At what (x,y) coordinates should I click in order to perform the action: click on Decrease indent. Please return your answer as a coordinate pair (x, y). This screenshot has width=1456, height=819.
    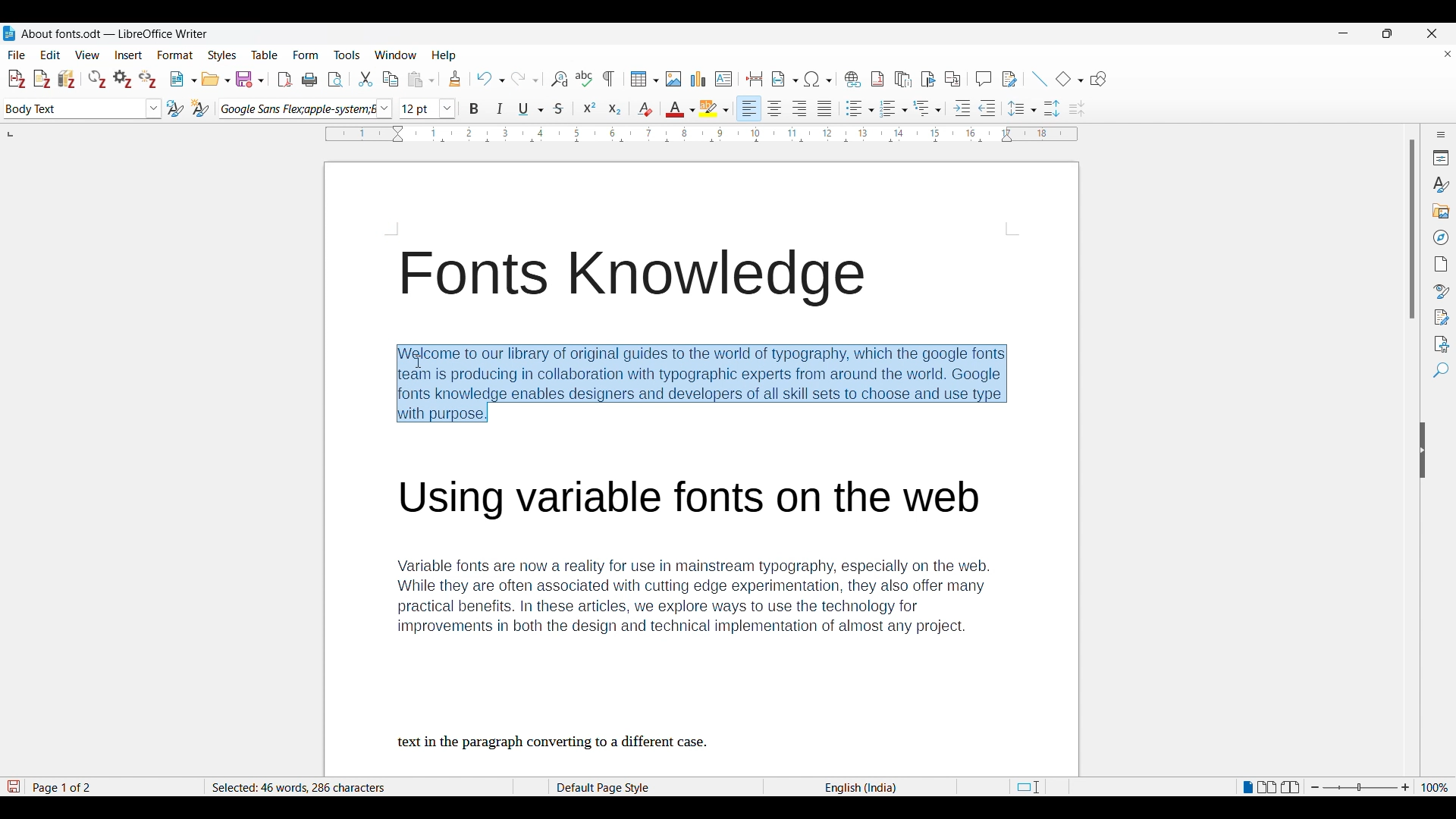
    Looking at the image, I should click on (987, 108).